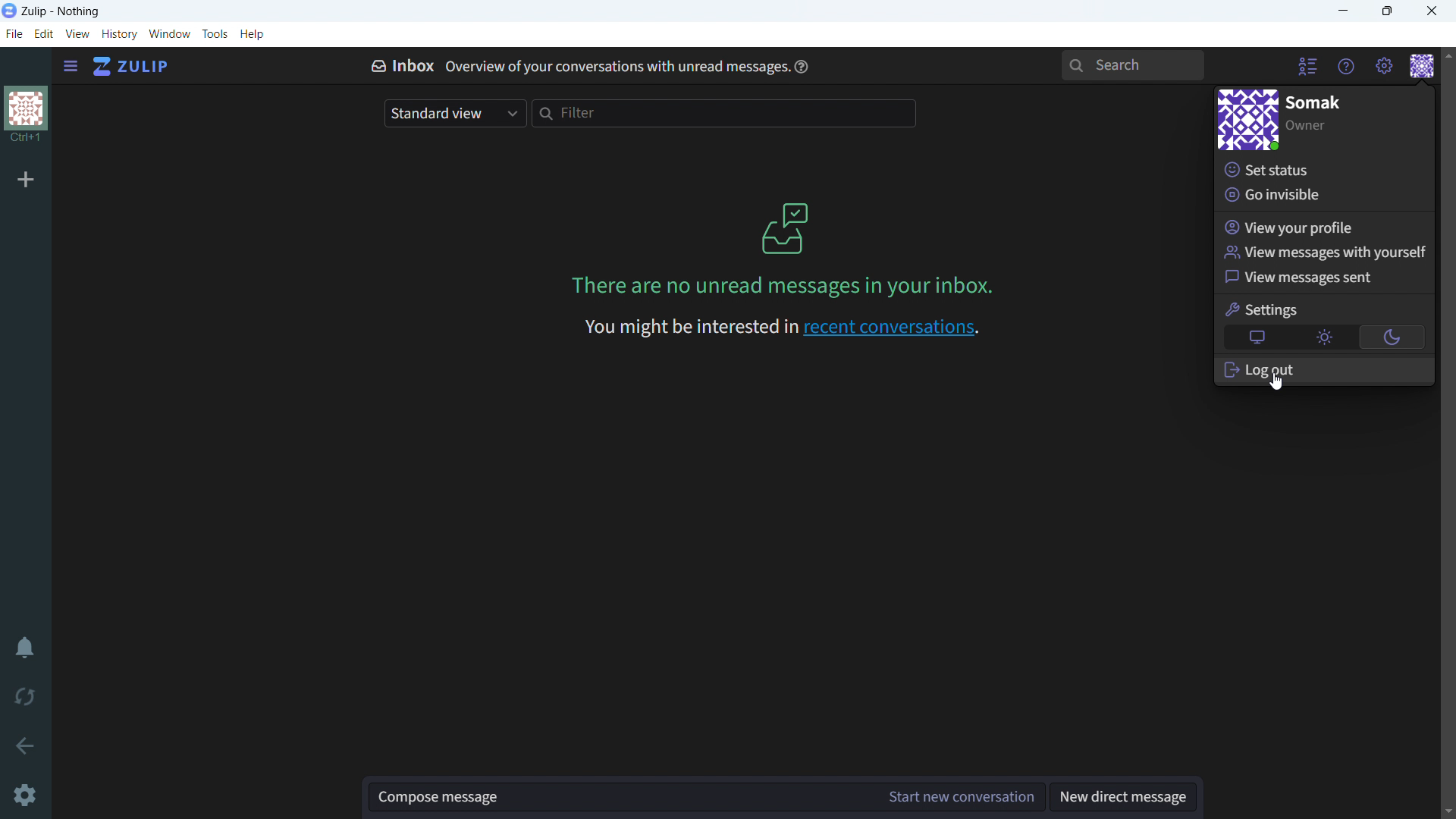 This screenshot has height=819, width=1456. I want to click on add organization, so click(26, 179).